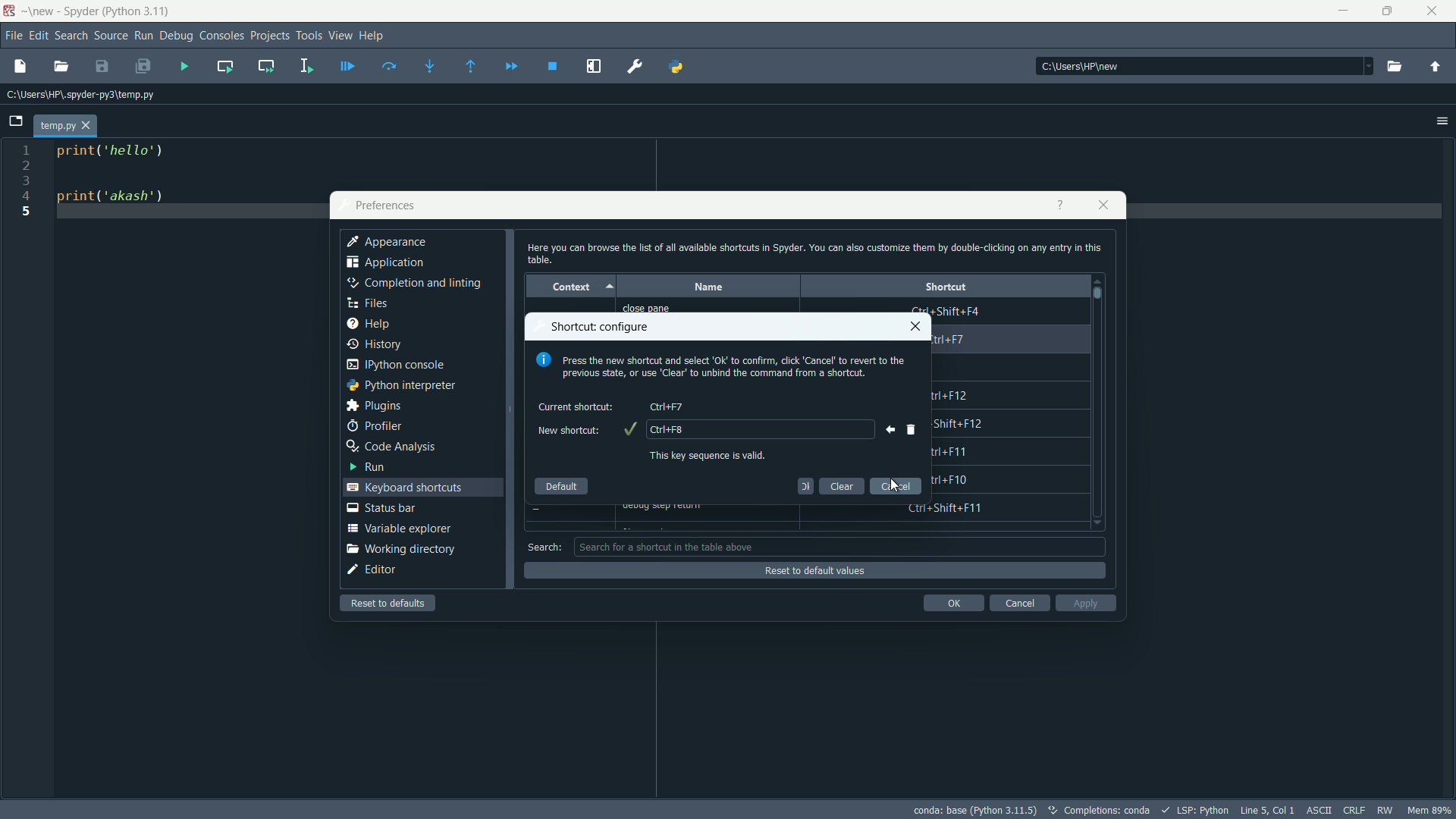  Describe the element at coordinates (222, 36) in the screenshot. I see `consoles menu` at that location.